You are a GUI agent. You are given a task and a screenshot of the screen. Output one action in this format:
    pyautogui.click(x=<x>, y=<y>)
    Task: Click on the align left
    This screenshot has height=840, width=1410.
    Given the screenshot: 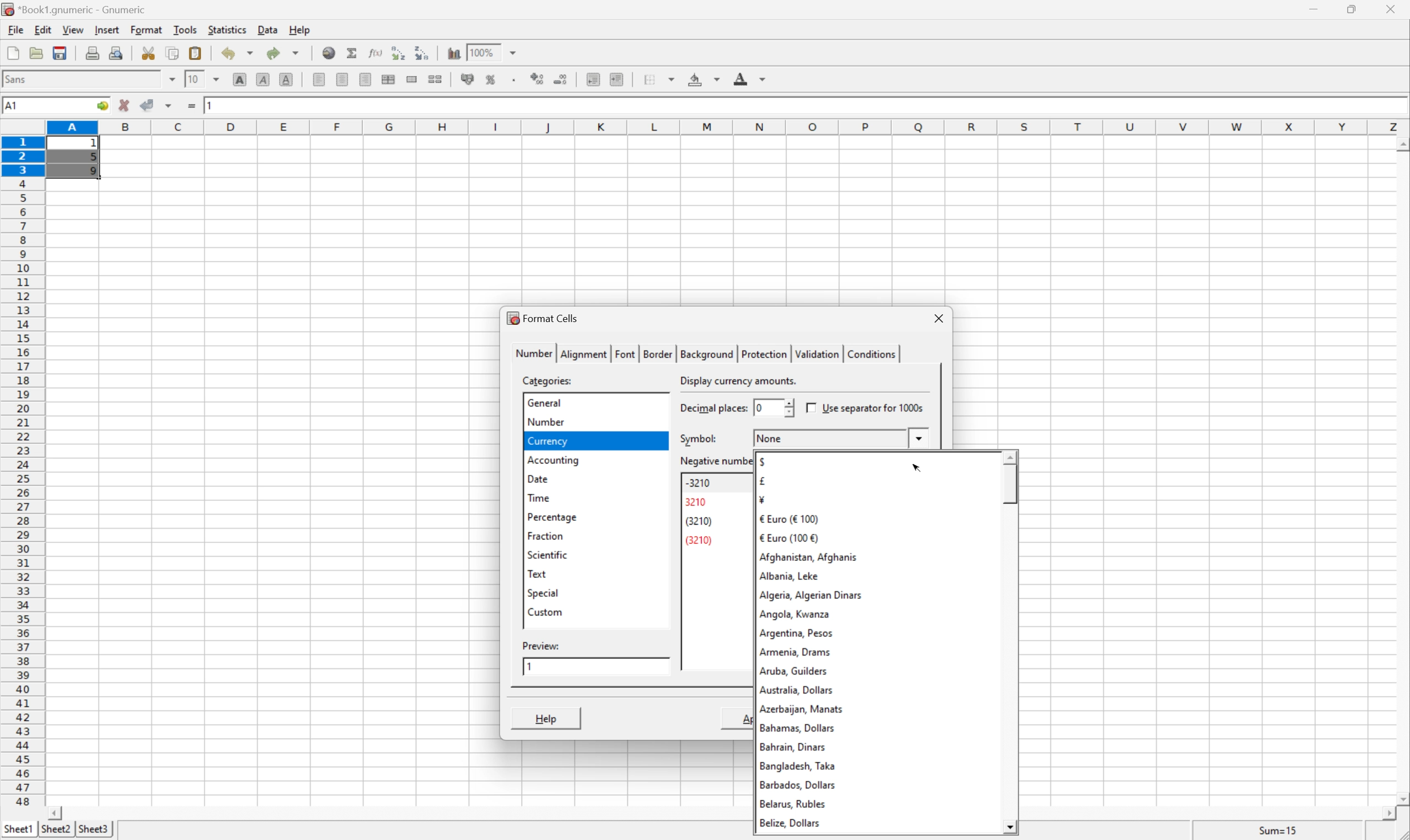 What is the action you would take?
    pyautogui.click(x=320, y=79)
    